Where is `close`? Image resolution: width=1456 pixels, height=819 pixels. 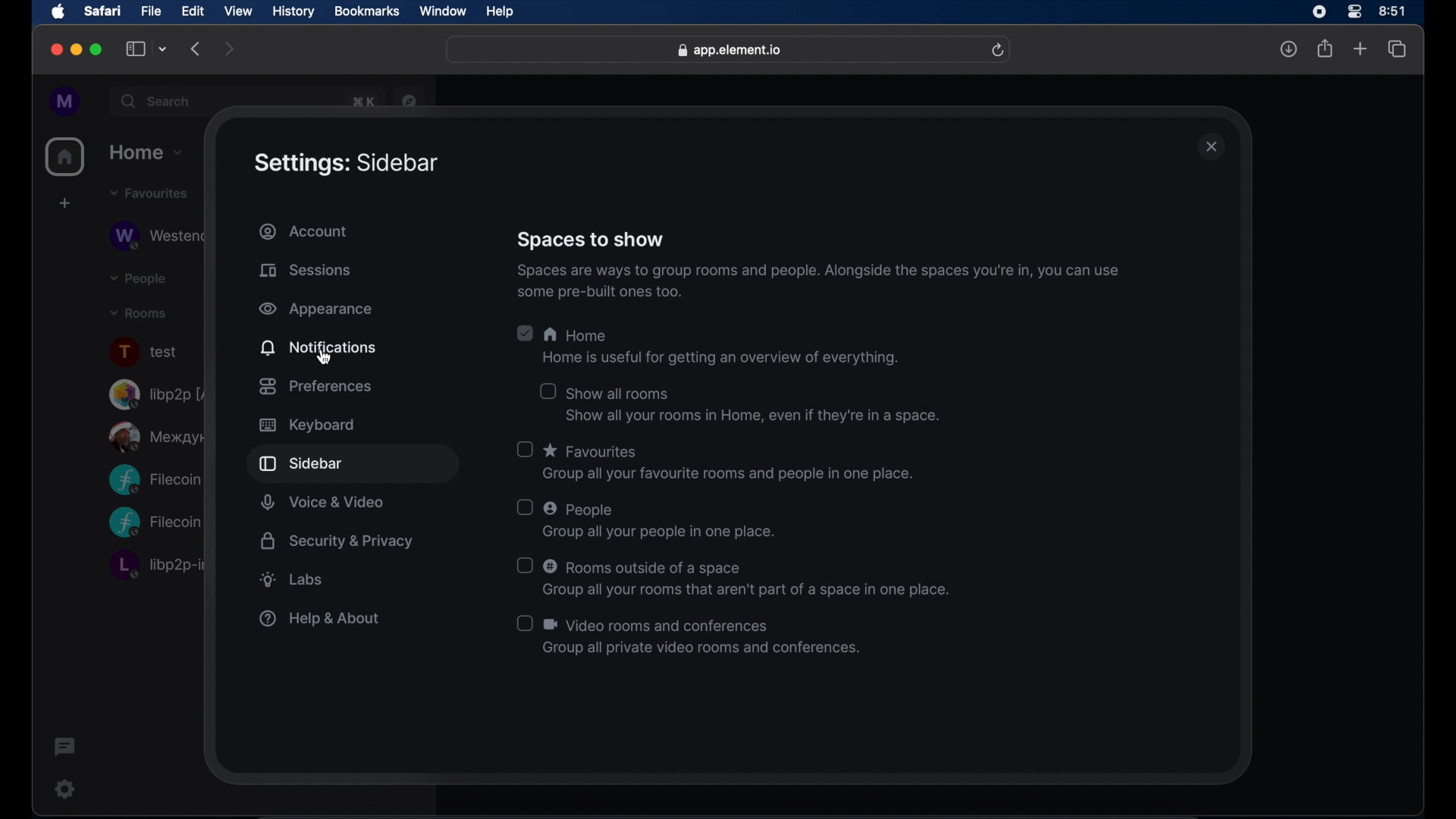
close is located at coordinates (55, 50).